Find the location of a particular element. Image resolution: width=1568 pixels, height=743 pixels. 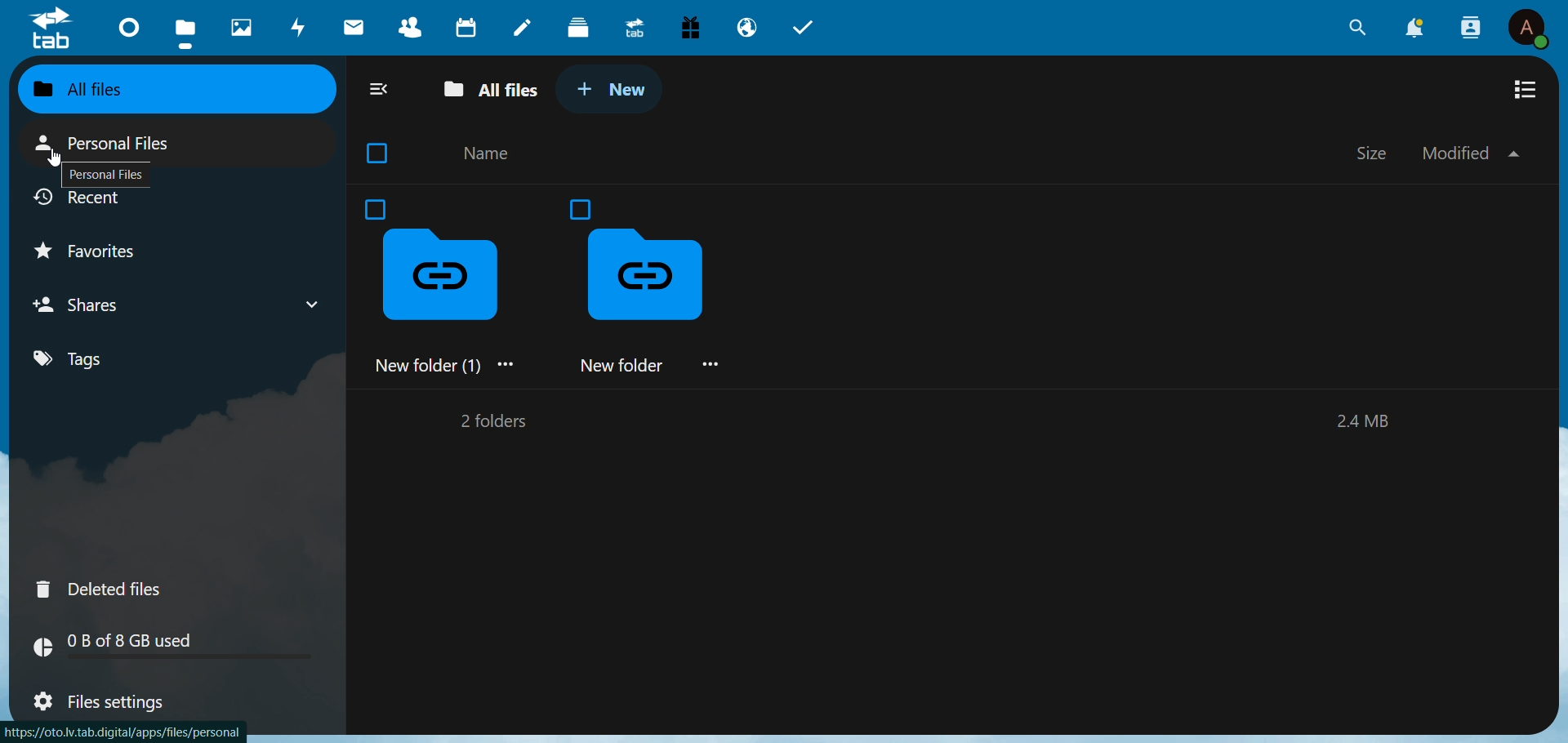

new is located at coordinates (621, 93).